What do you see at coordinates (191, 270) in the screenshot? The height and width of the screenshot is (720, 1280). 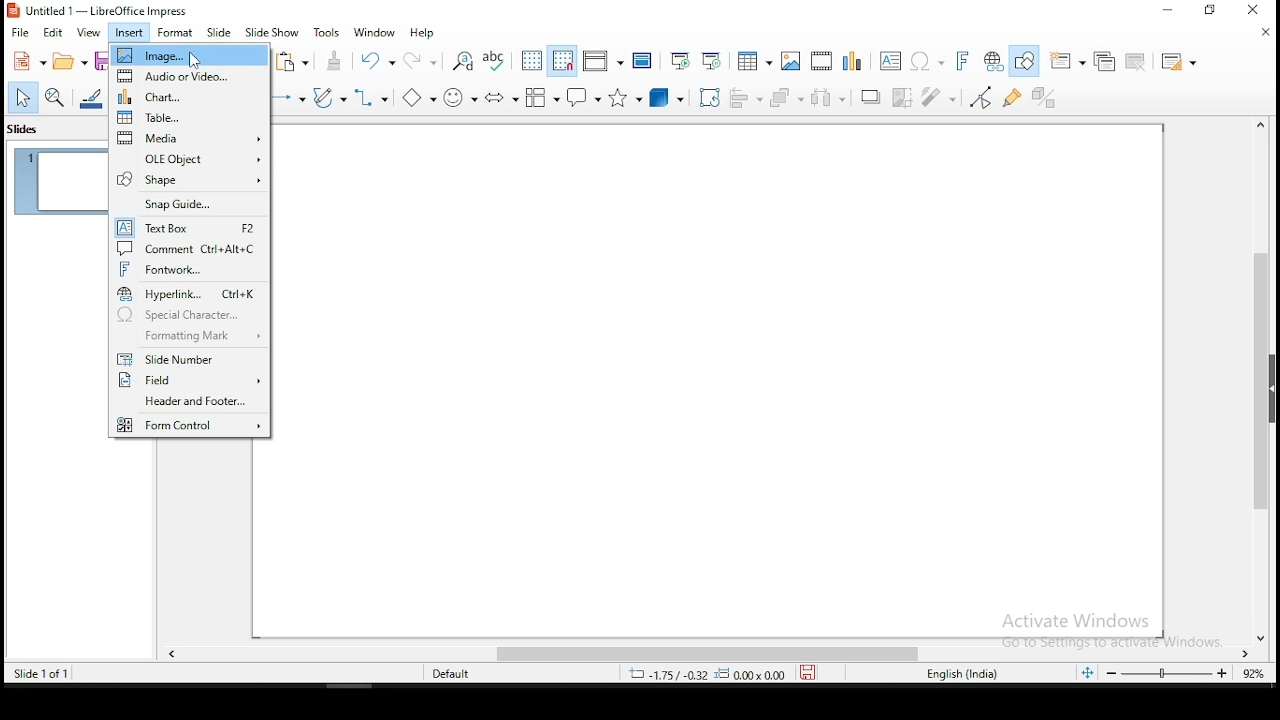 I see `font work` at bounding box center [191, 270].